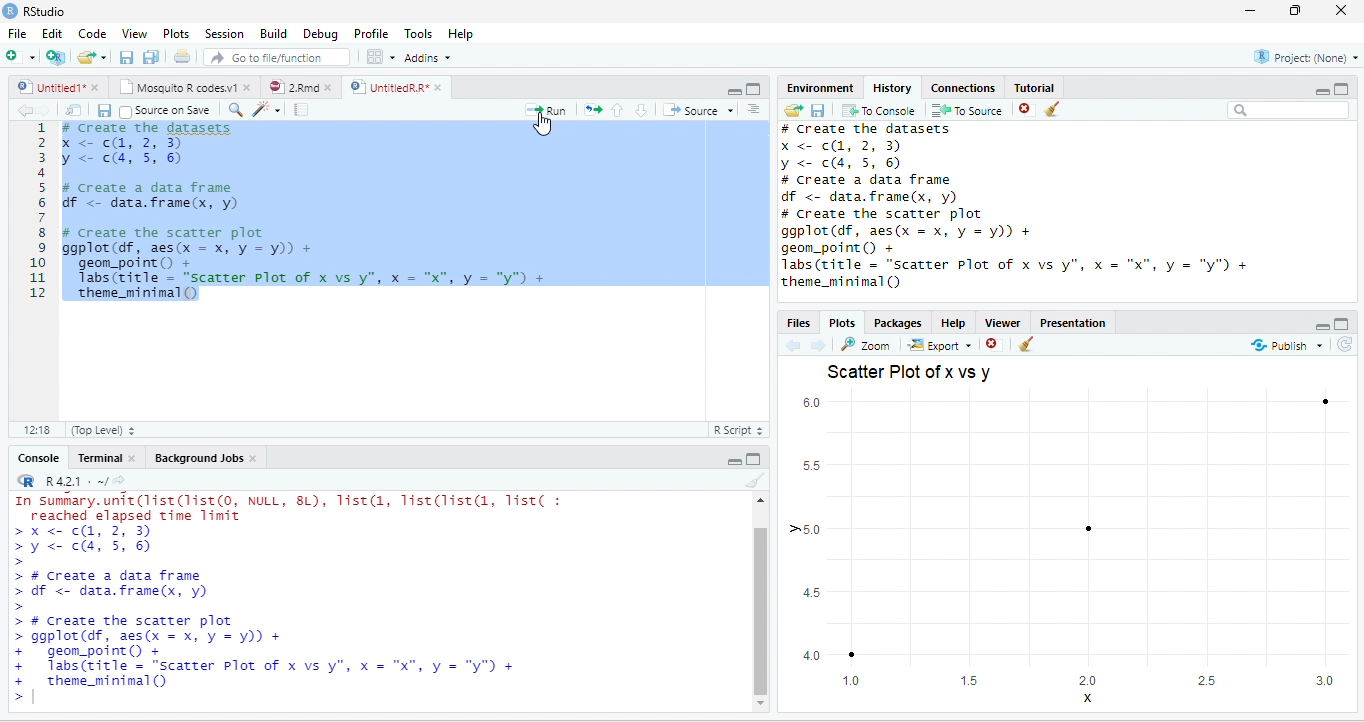 The height and width of the screenshot is (722, 1364). What do you see at coordinates (34, 429) in the screenshot?
I see `1:1` at bounding box center [34, 429].